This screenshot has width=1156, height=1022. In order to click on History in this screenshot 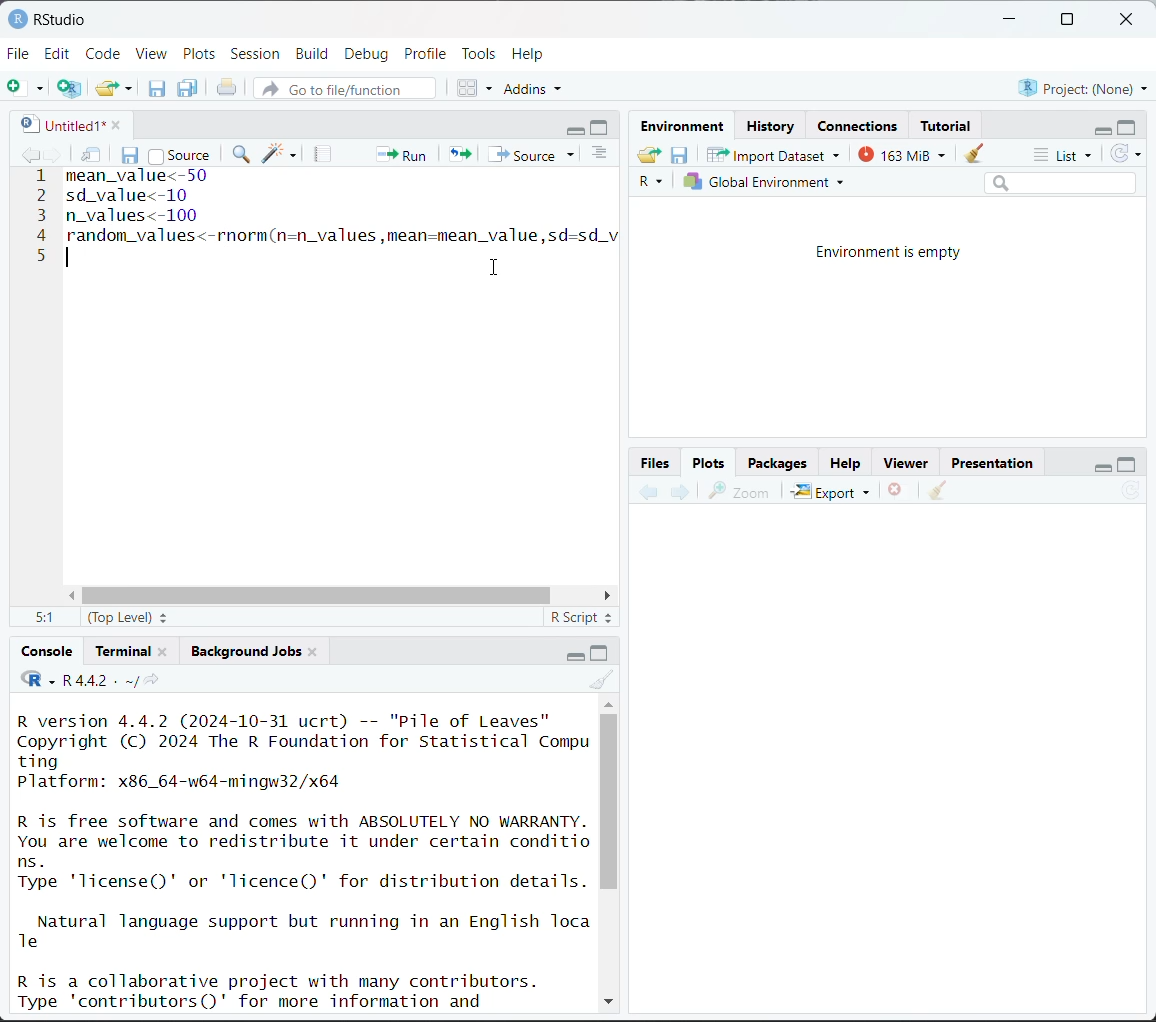, I will do `click(772, 126)`.